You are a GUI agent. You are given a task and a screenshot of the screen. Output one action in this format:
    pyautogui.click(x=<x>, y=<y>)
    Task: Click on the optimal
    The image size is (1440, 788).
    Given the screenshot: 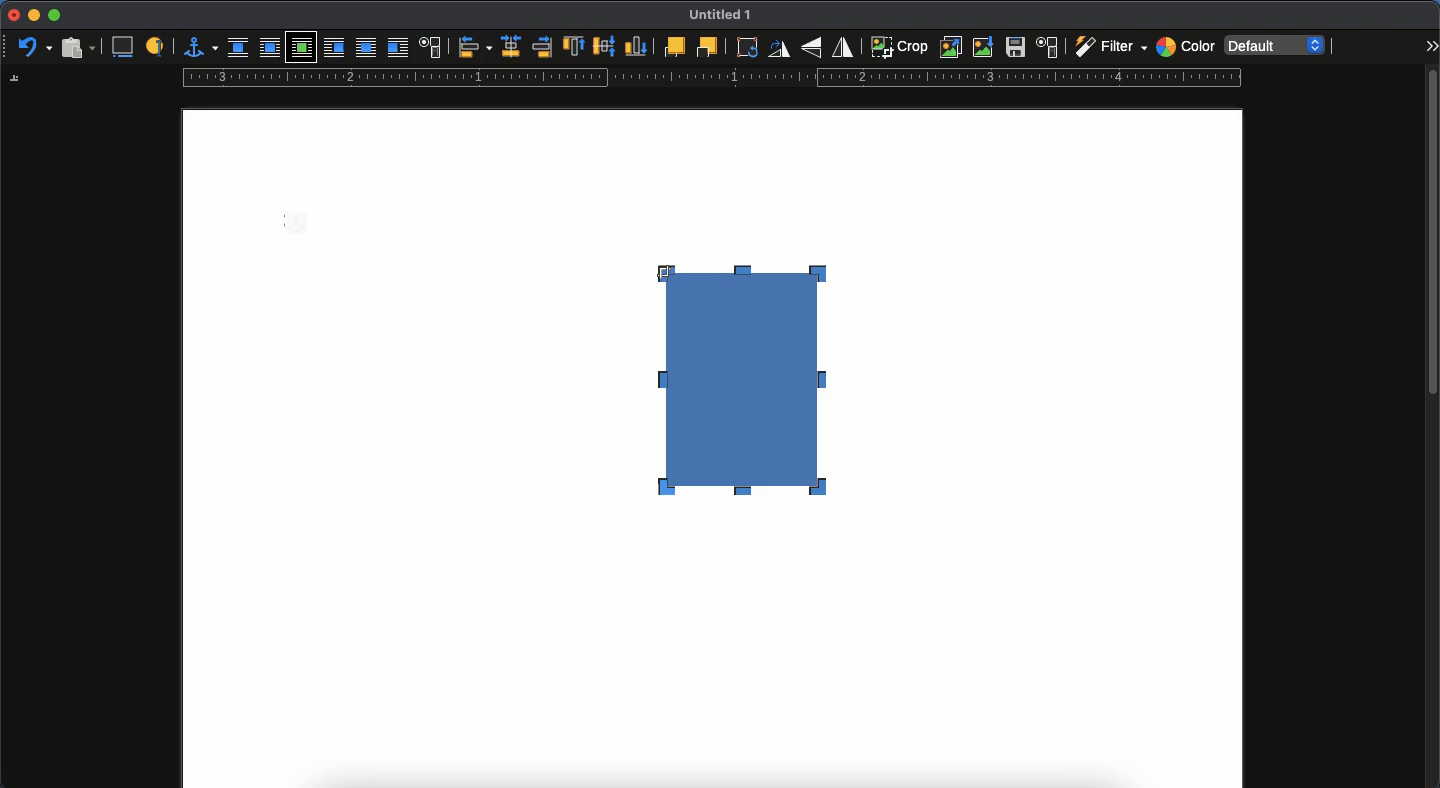 What is the action you would take?
    pyautogui.click(x=300, y=49)
    